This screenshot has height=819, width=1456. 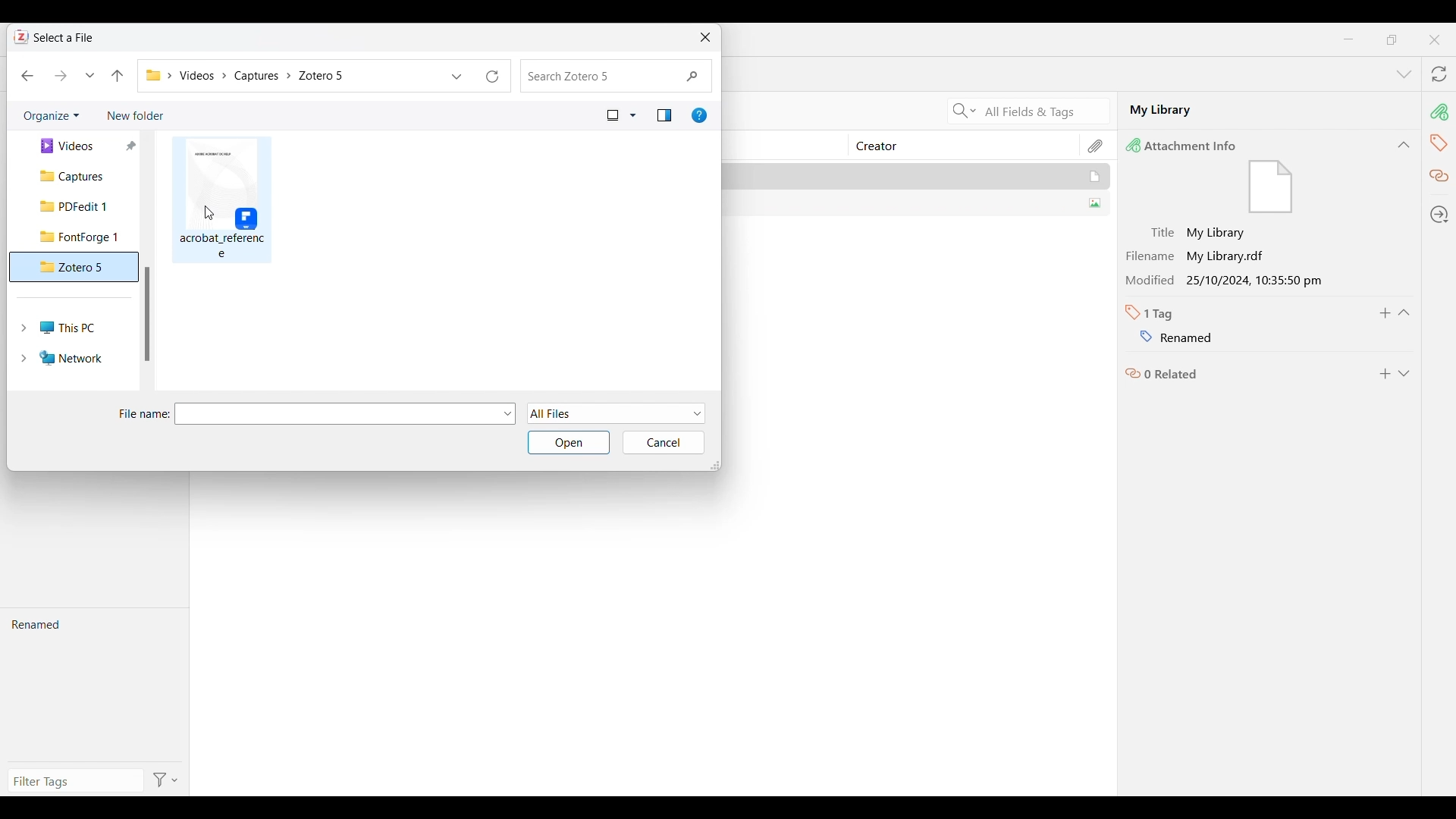 What do you see at coordinates (1404, 374) in the screenshot?
I see `Expand` at bounding box center [1404, 374].